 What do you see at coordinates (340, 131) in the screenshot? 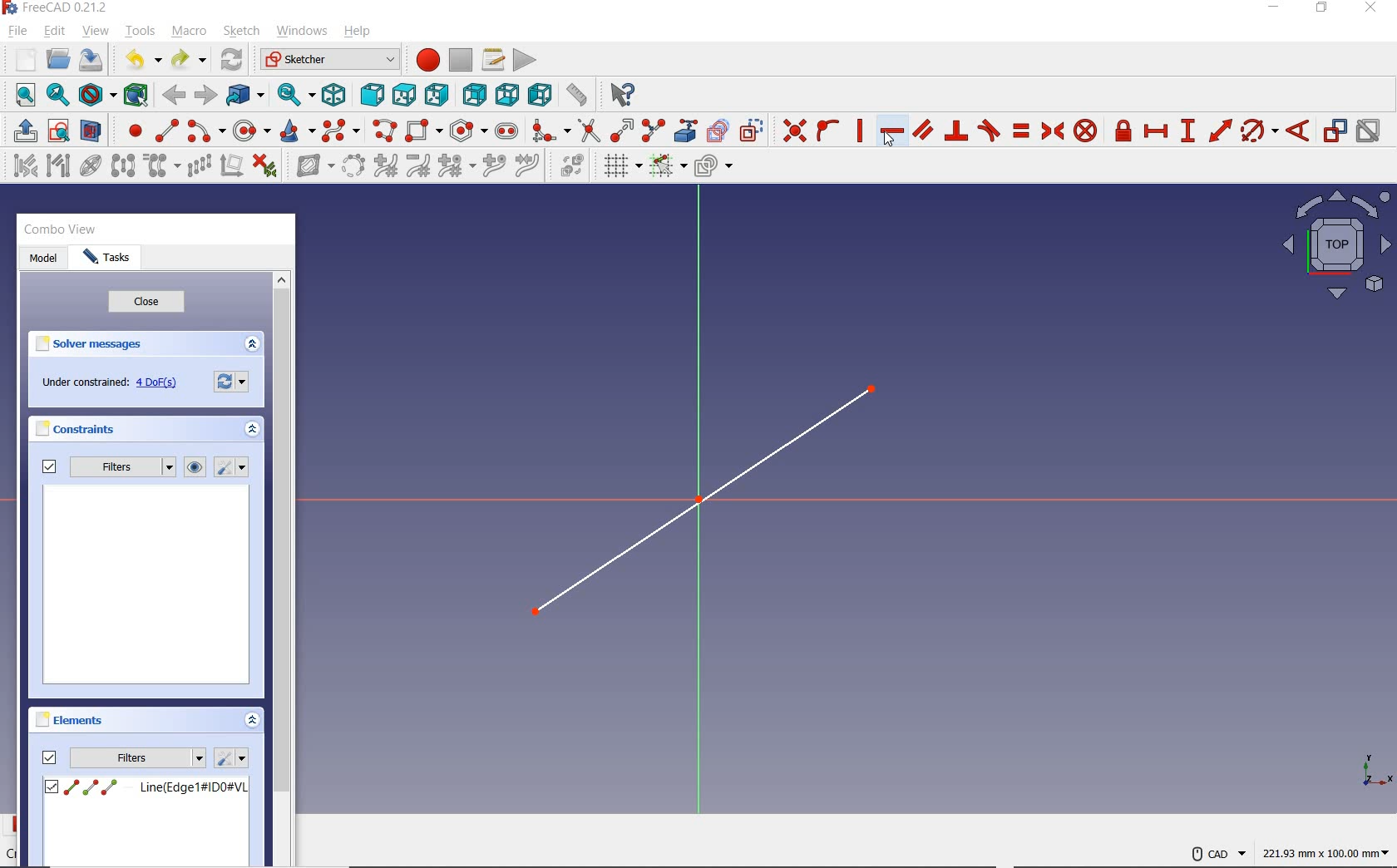
I see `CREATE B-SPLINE` at bounding box center [340, 131].